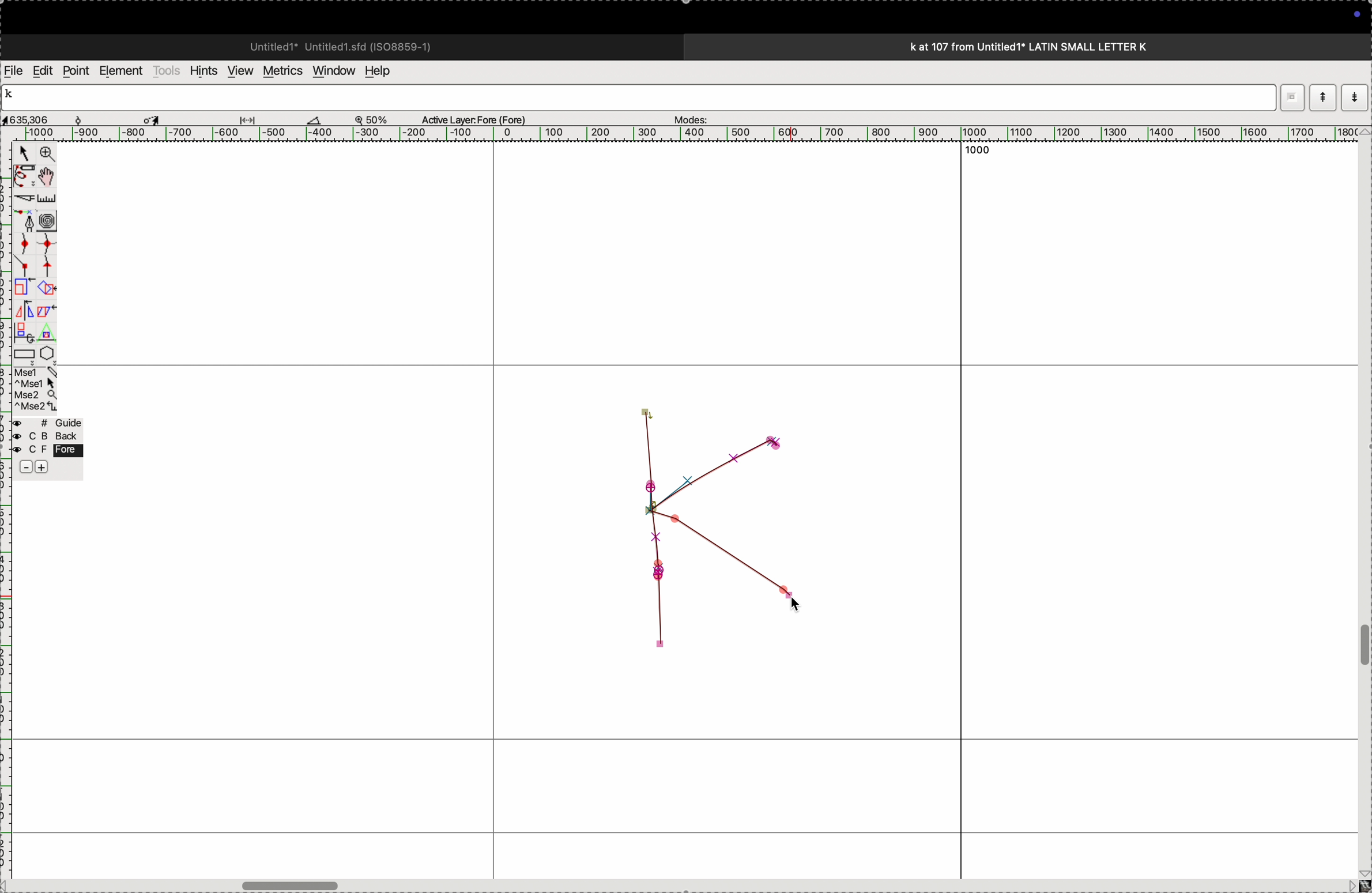 The image size is (1372, 893). What do you see at coordinates (377, 119) in the screenshot?
I see `zoom` at bounding box center [377, 119].